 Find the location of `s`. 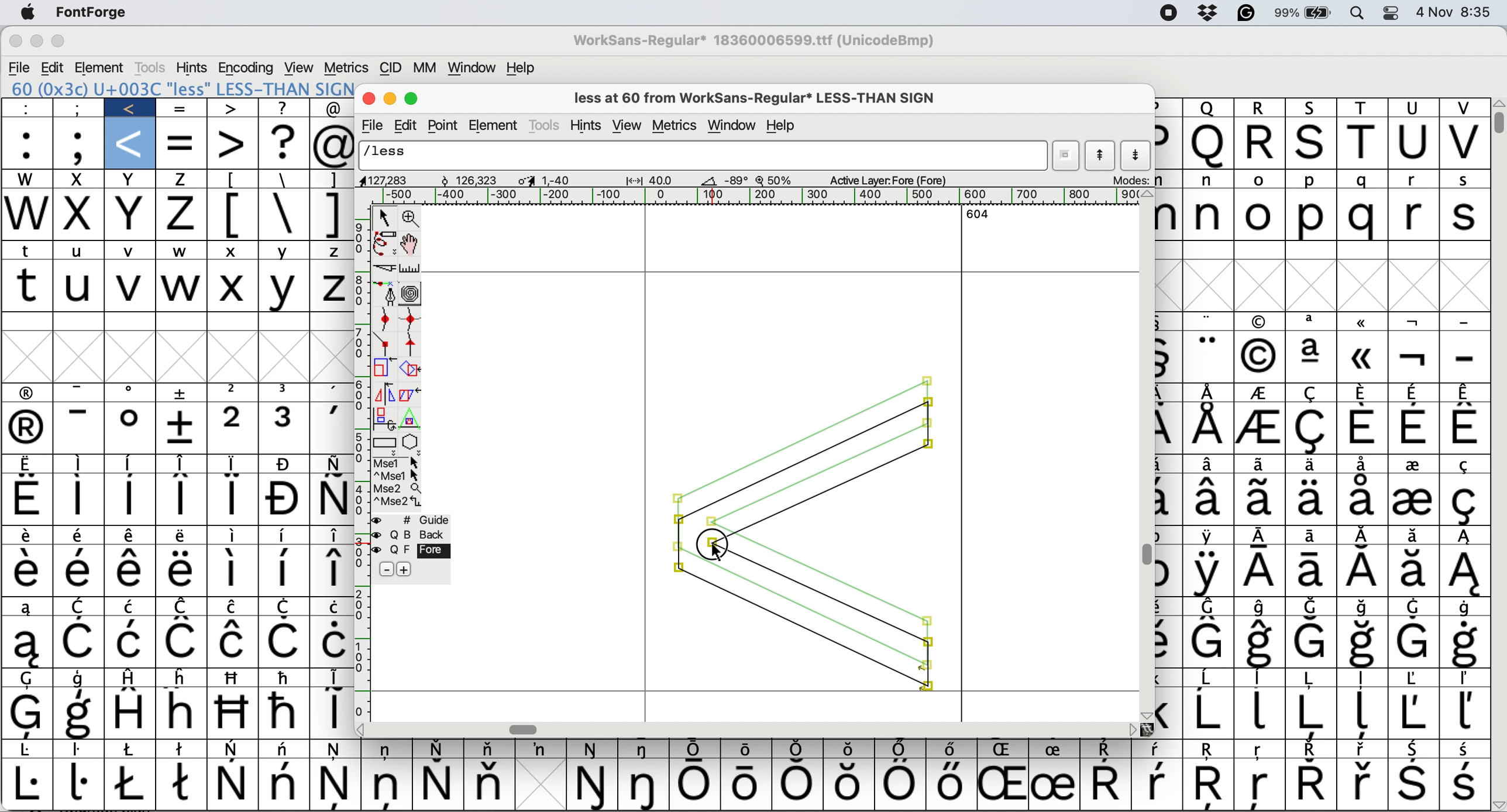

s is located at coordinates (1463, 216).